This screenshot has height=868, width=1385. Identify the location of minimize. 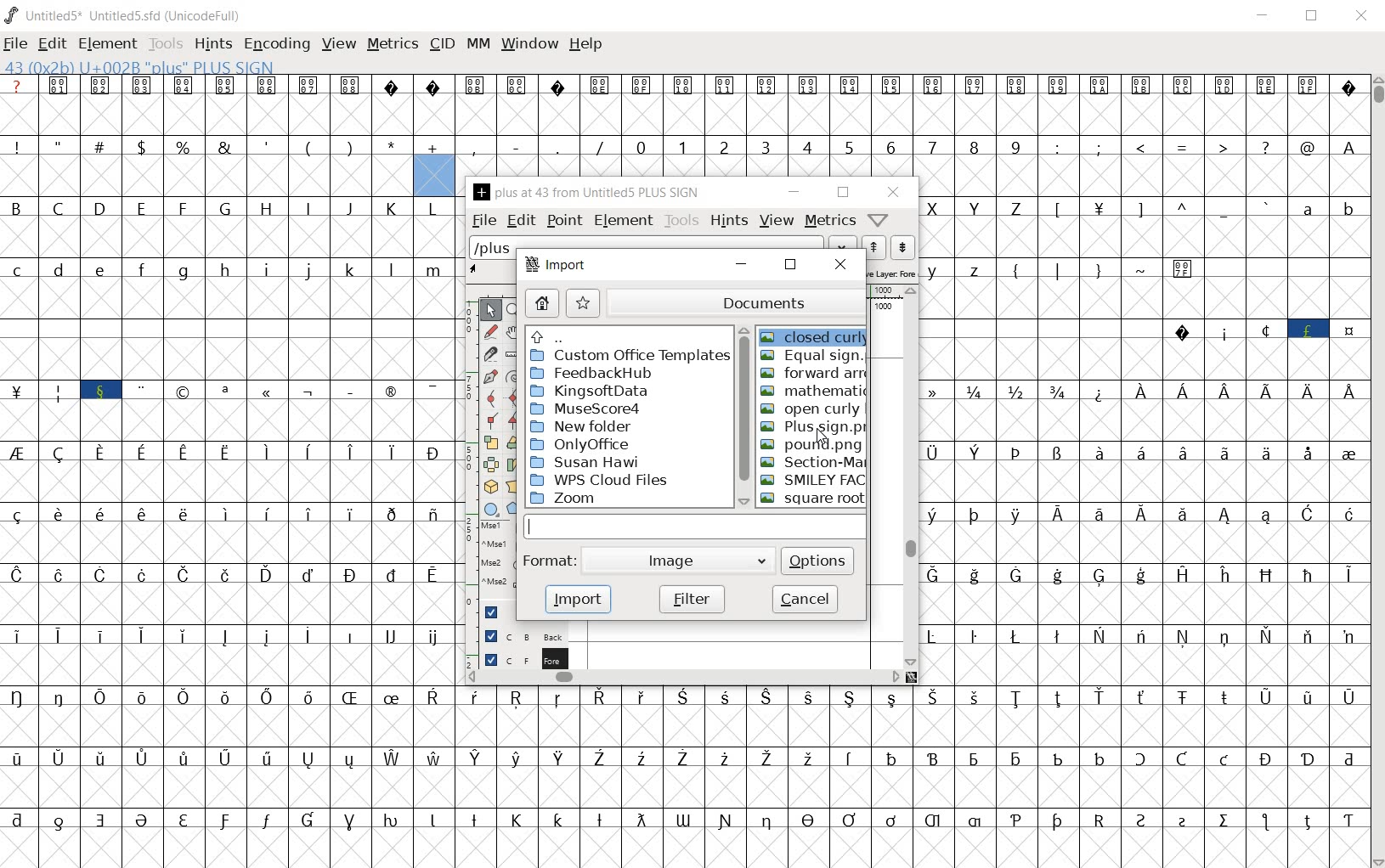
(795, 192).